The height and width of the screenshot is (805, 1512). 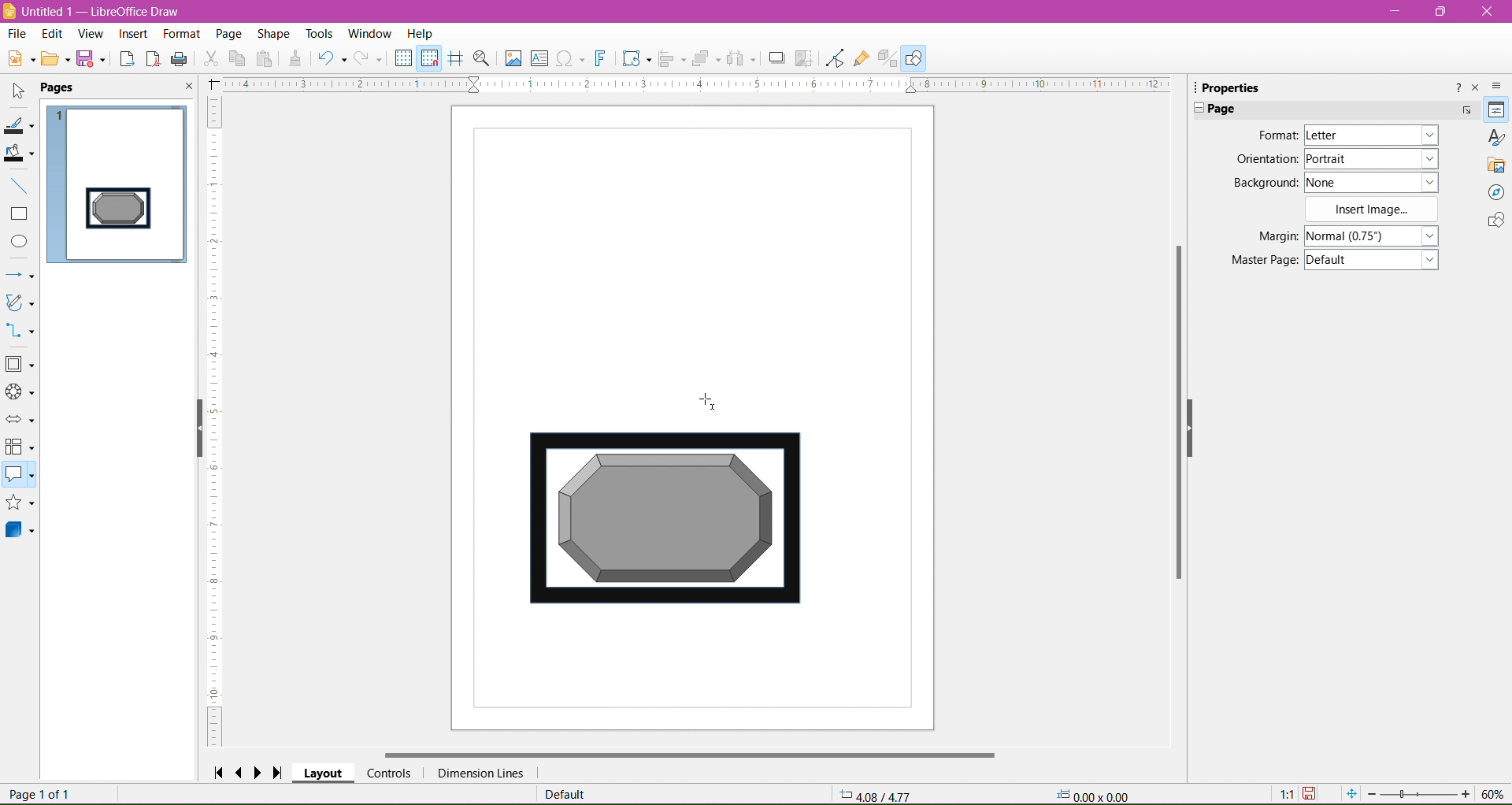 I want to click on Fit page to current window, so click(x=1351, y=794).